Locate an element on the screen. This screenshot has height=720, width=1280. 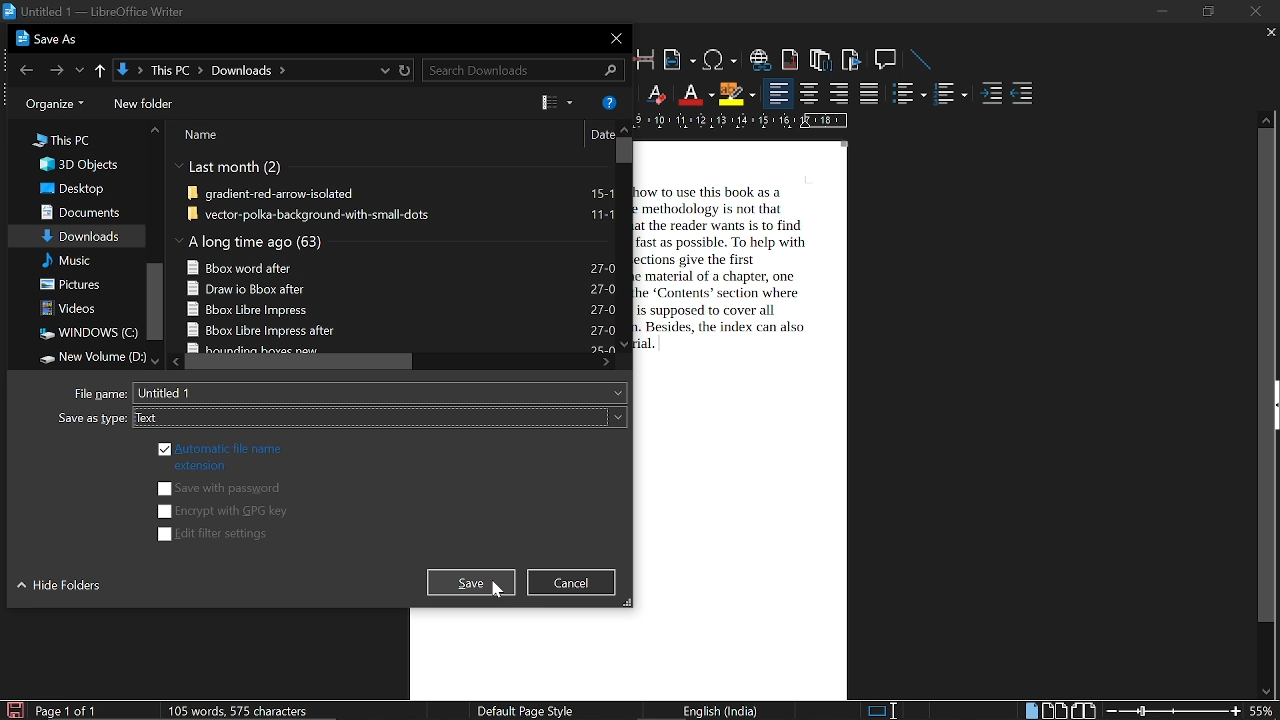
word and character is located at coordinates (242, 710).